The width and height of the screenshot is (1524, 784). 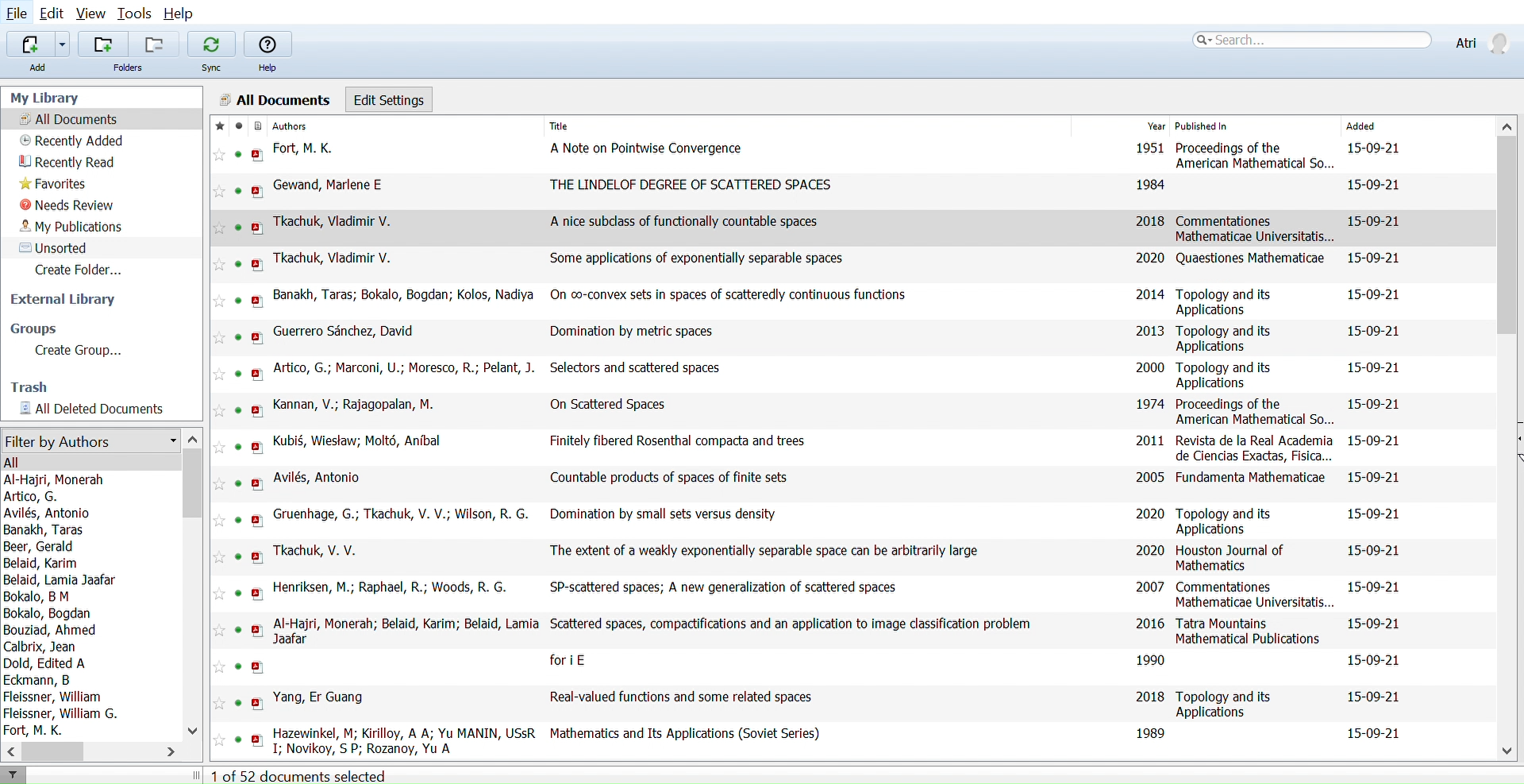 I want to click on Al-Hajri, Monerah; Belaid, Karim; Belaid, Lamia Jaafar, so click(x=408, y=631).